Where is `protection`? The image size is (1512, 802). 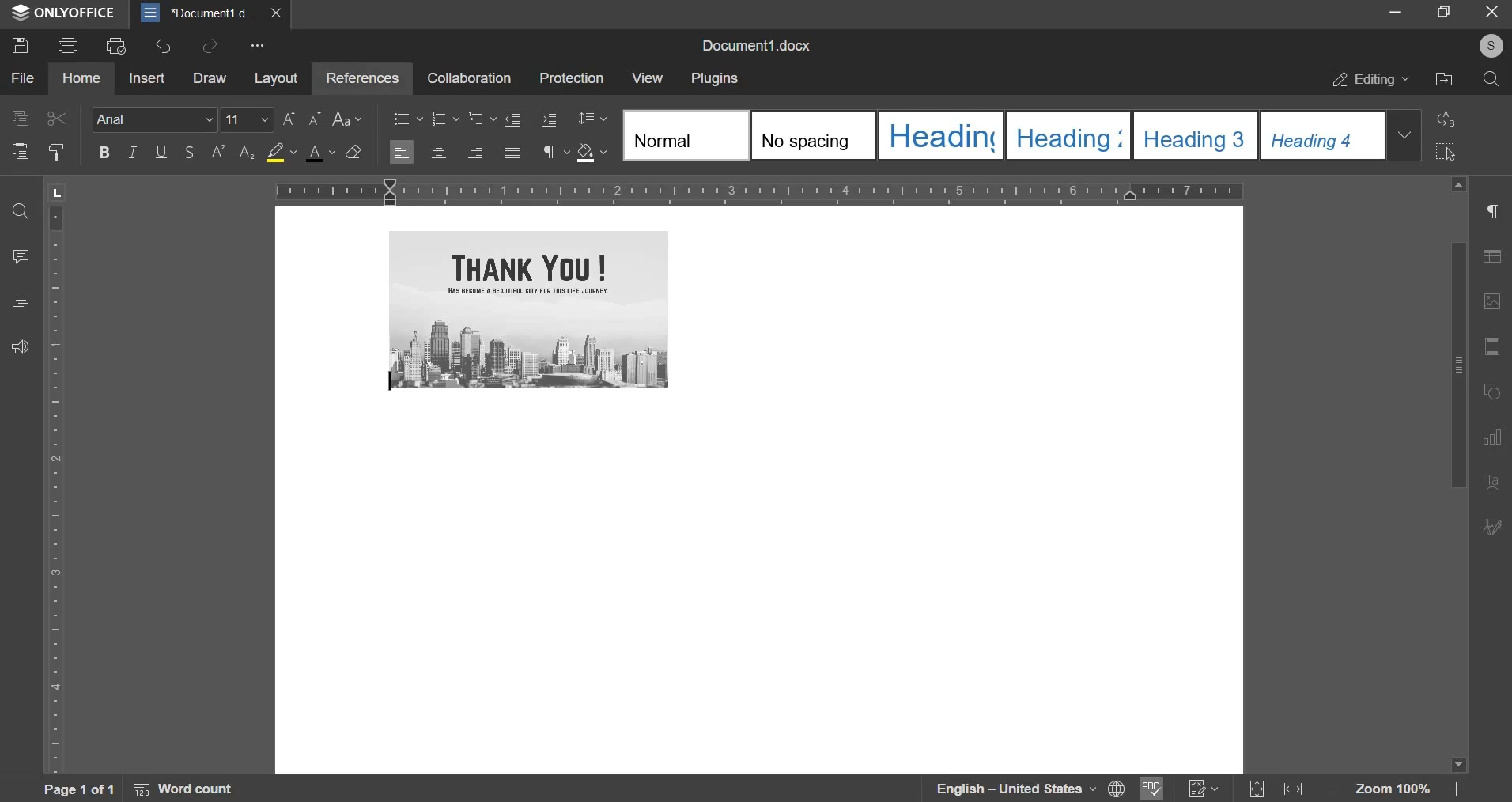 protection is located at coordinates (571, 77).